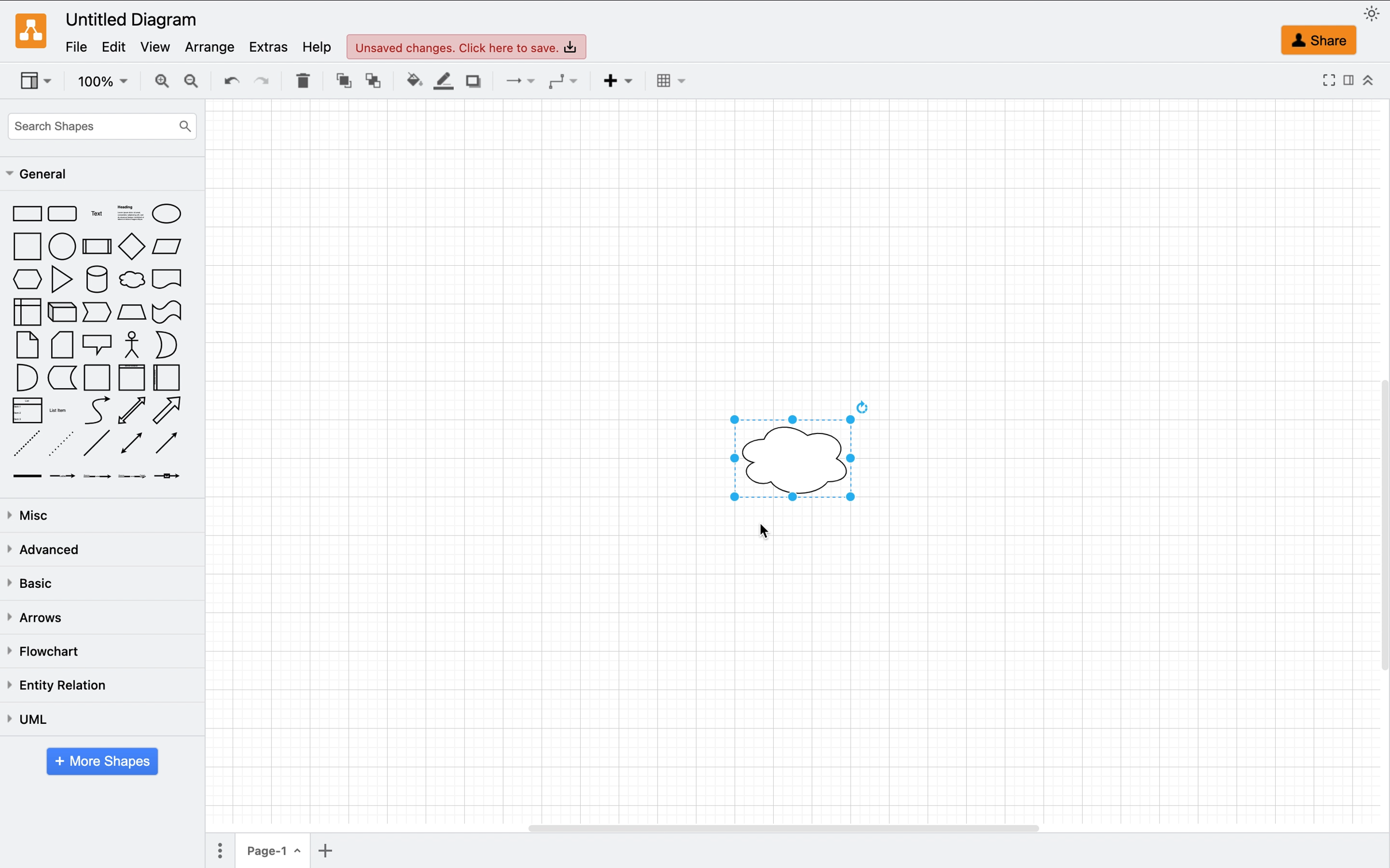 The width and height of the screenshot is (1390, 868). Describe the element at coordinates (40, 621) in the screenshot. I see `arrows` at that location.